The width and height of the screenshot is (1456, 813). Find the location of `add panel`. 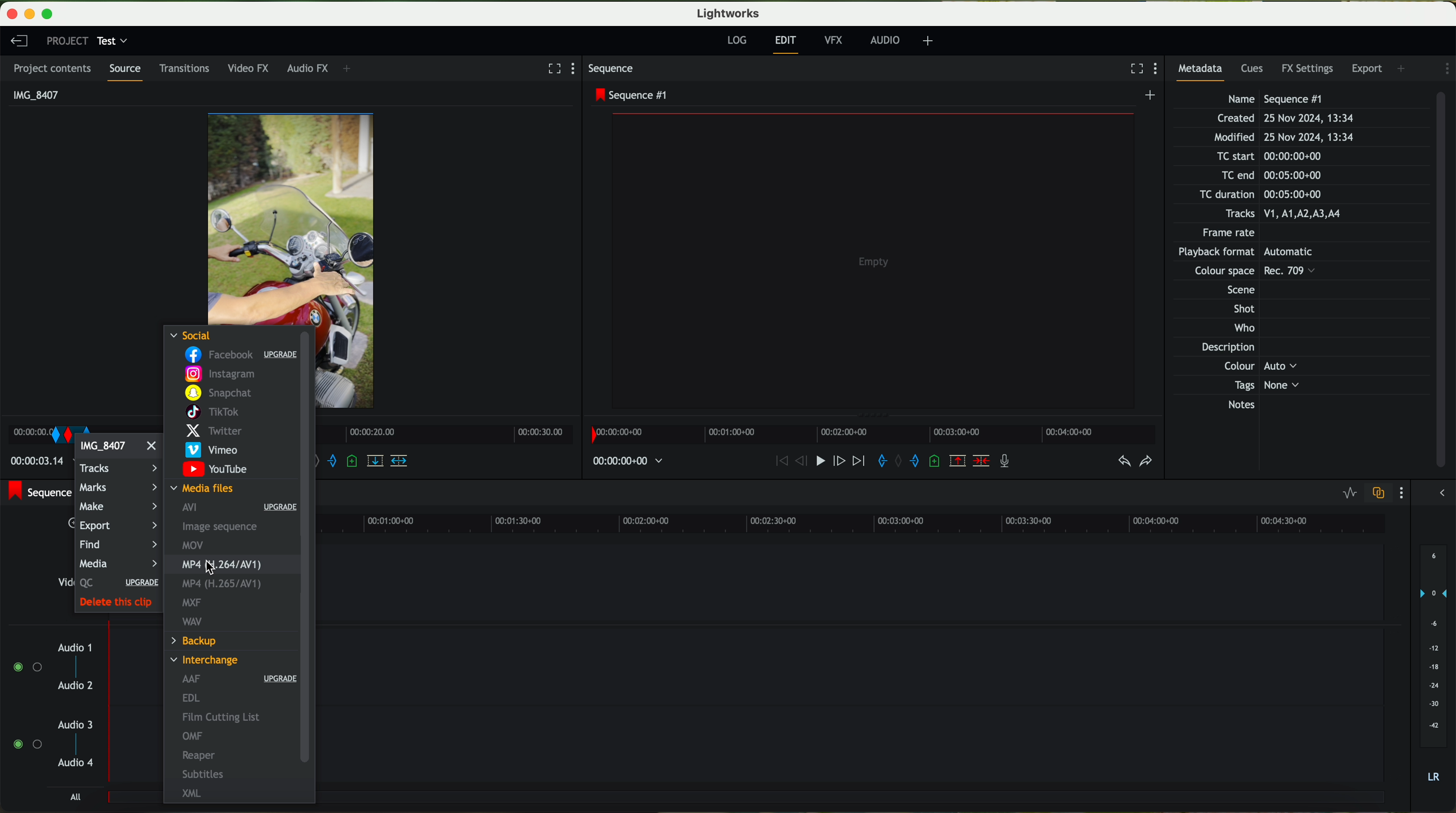

add panel is located at coordinates (1403, 67).